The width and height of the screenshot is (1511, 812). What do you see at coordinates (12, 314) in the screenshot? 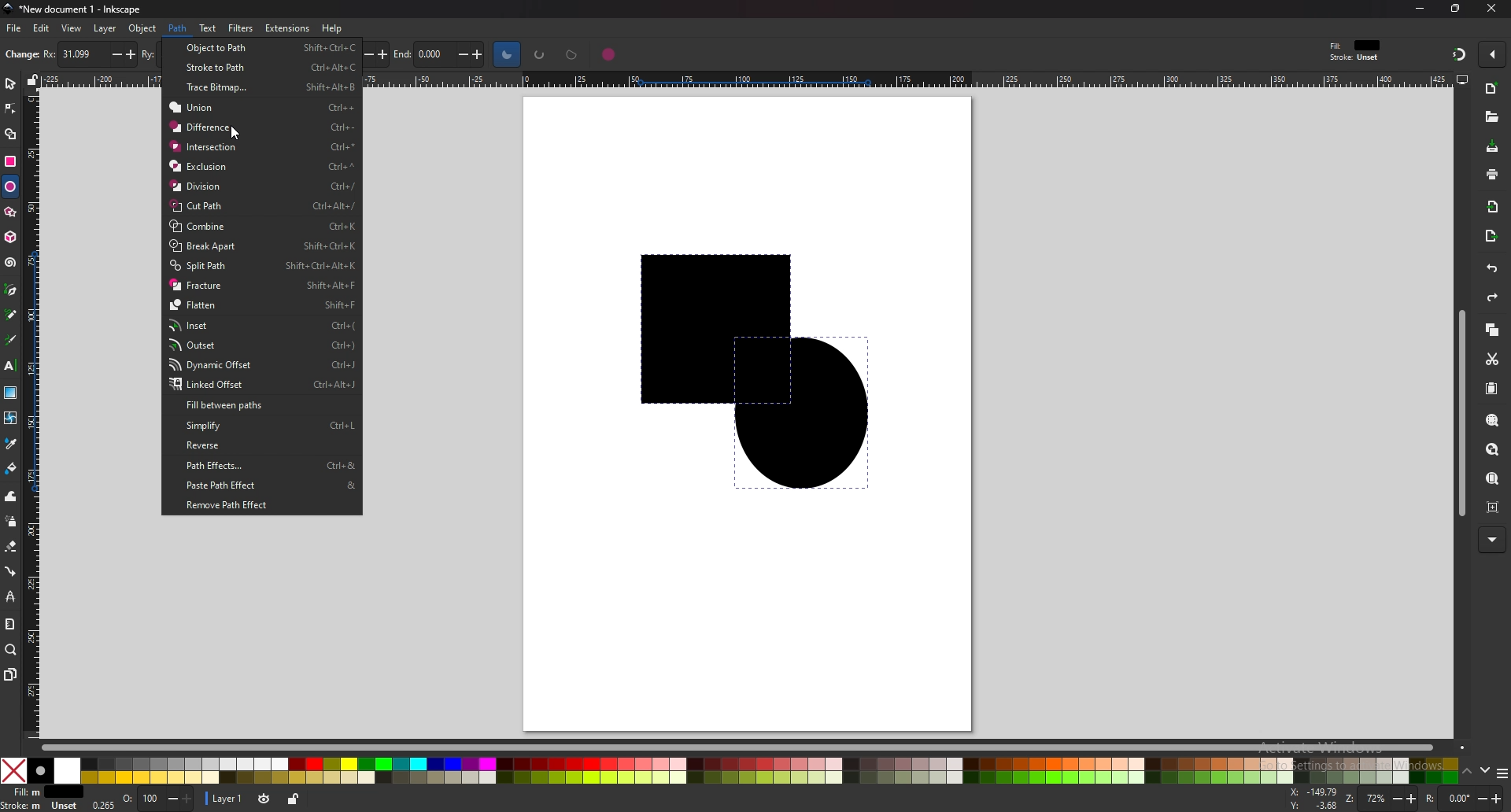
I see `pencil` at bounding box center [12, 314].